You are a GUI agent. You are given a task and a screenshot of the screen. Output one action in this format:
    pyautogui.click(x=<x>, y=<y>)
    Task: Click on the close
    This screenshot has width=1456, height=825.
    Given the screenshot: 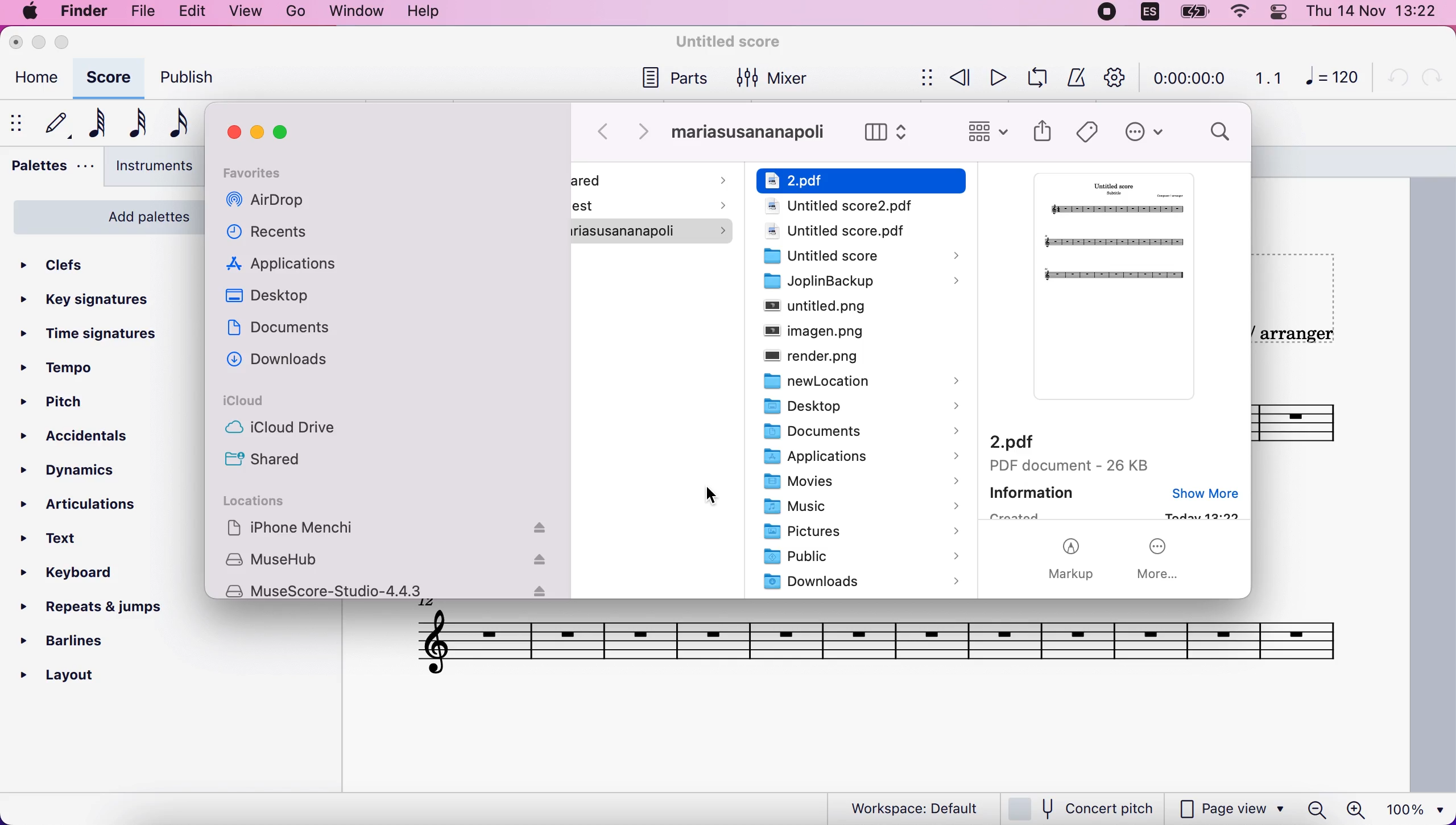 What is the action you would take?
    pyautogui.click(x=232, y=130)
    